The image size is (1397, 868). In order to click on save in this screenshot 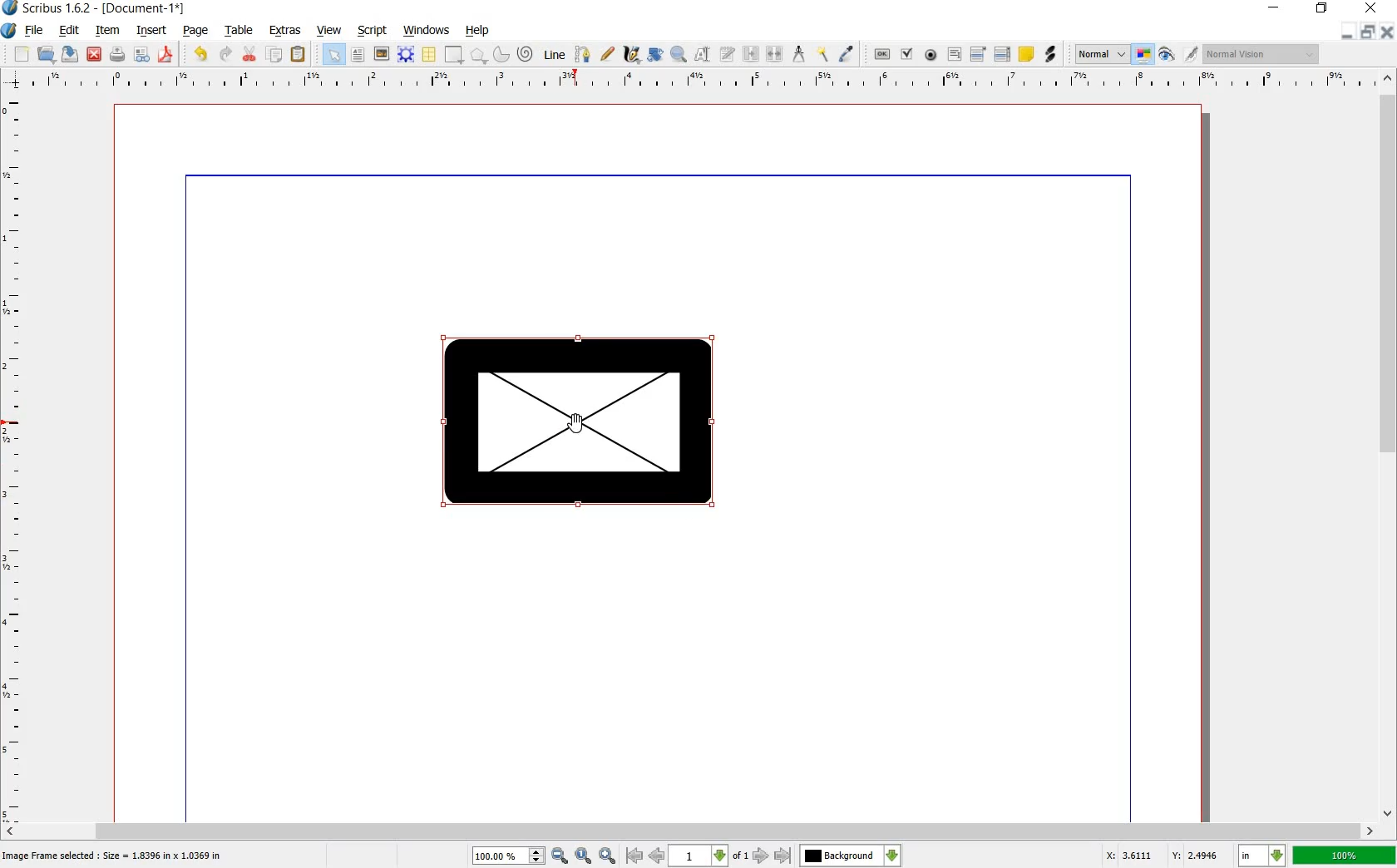, I will do `click(70, 56)`.